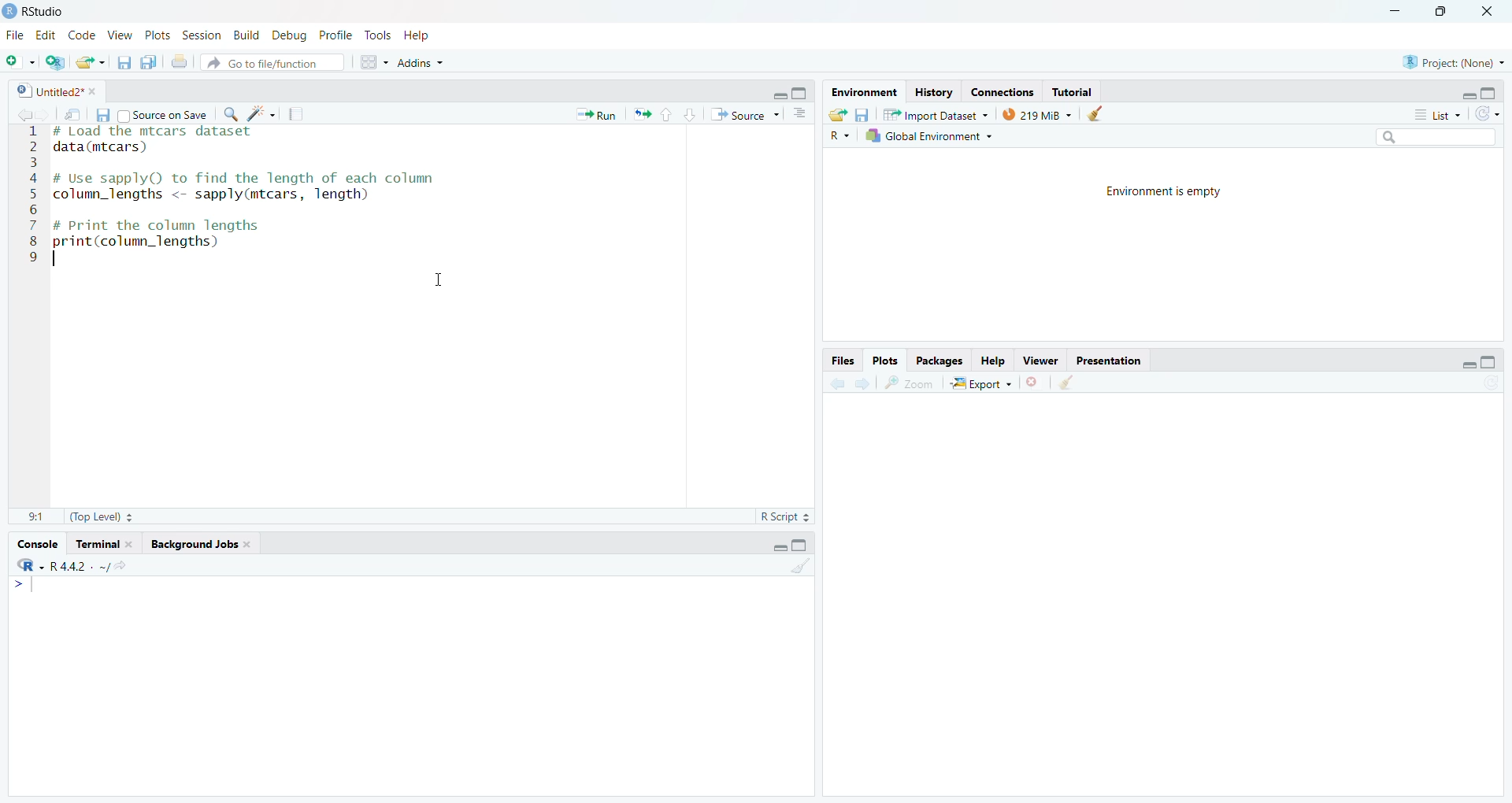 The image size is (1512, 803). I want to click on Next plot, so click(865, 382).